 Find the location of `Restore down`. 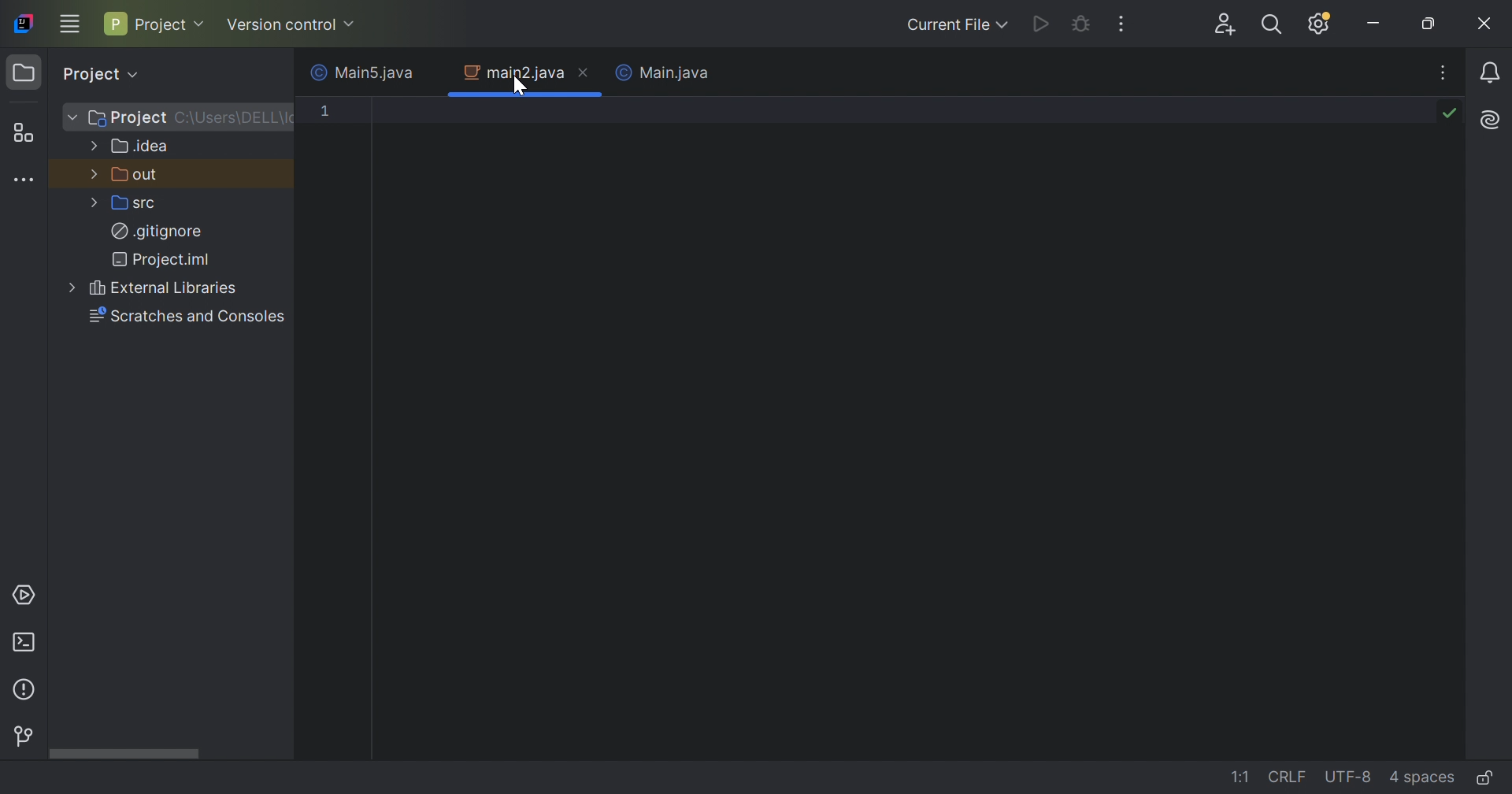

Restore down is located at coordinates (1429, 24).